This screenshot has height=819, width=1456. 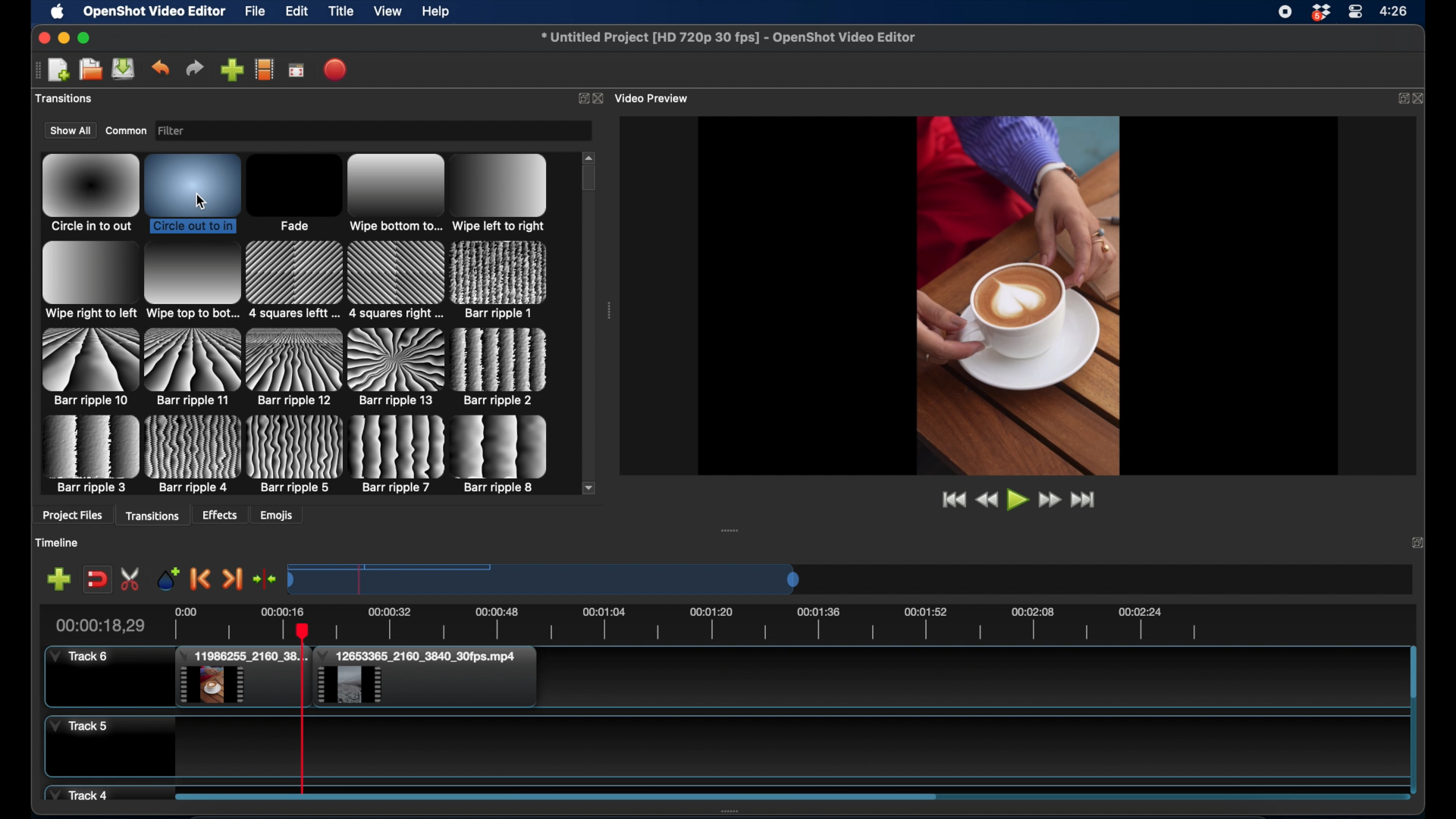 I want to click on drag handle, so click(x=610, y=311).